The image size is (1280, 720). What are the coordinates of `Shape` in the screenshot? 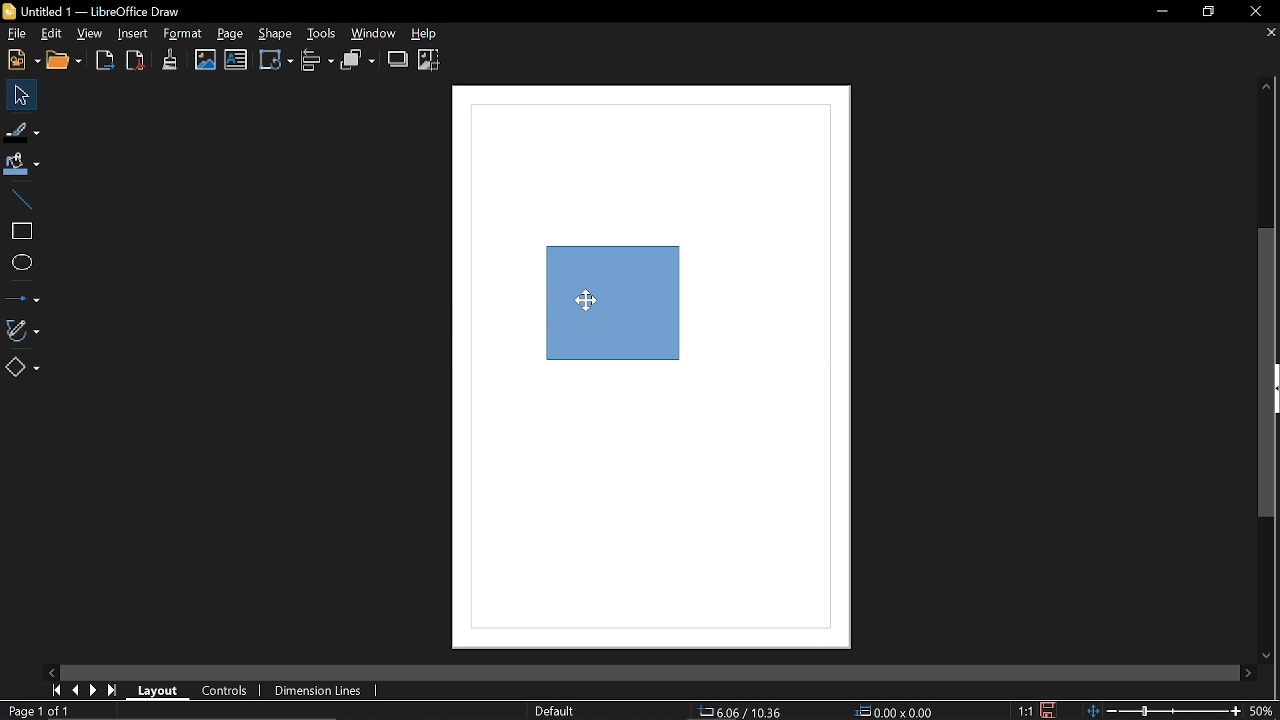 It's located at (276, 33).